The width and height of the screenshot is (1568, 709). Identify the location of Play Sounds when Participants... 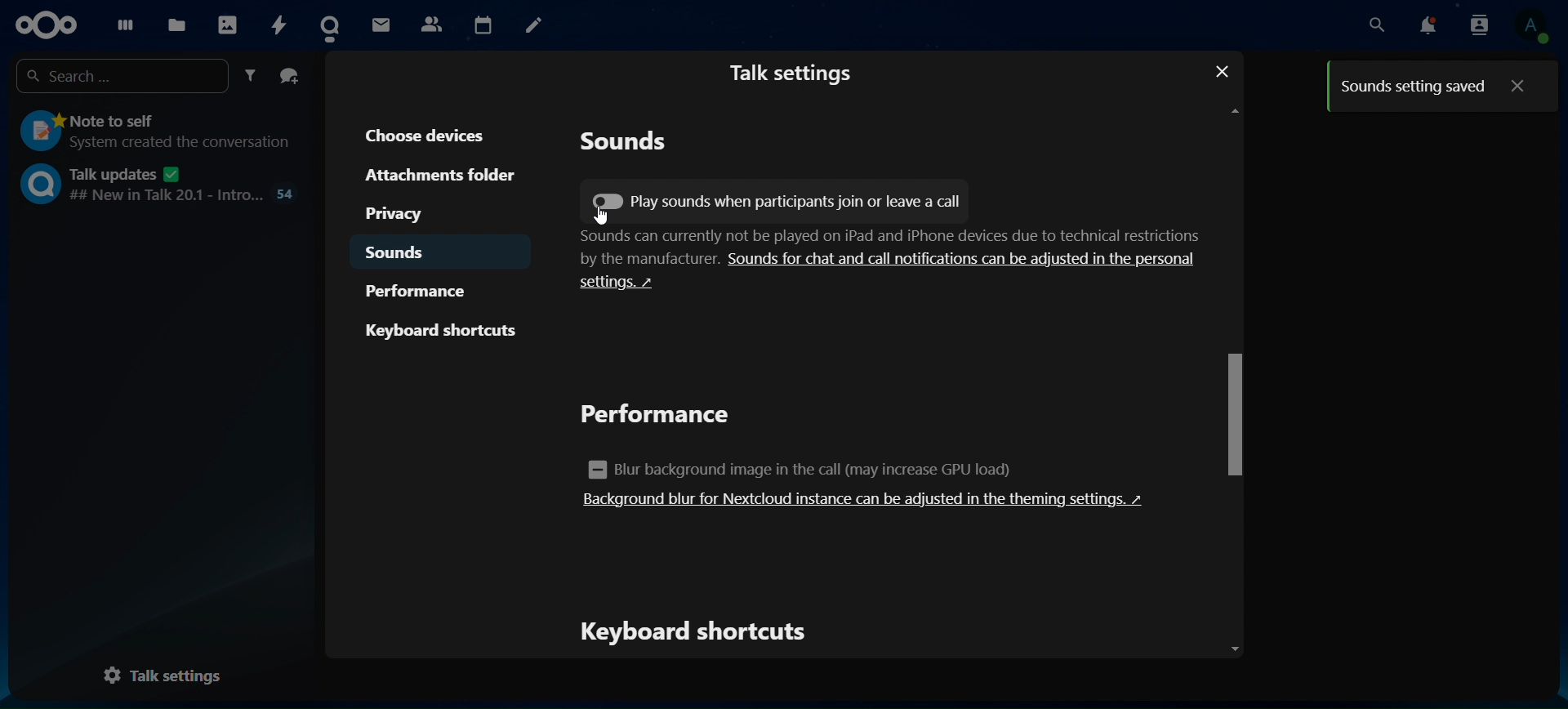
(610, 201).